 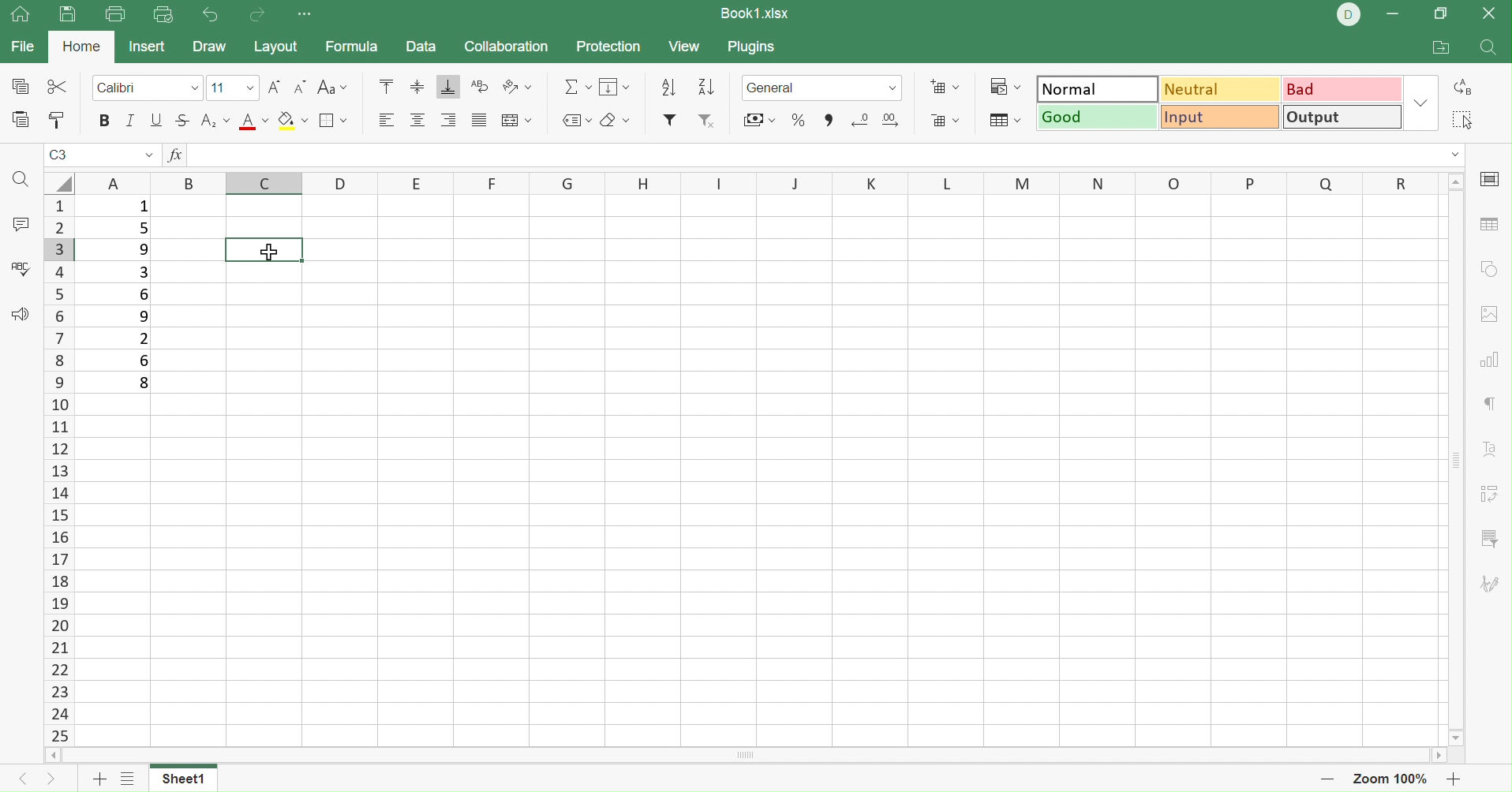 What do you see at coordinates (1488, 223) in the screenshot?
I see `Table settings` at bounding box center [1488, 223].